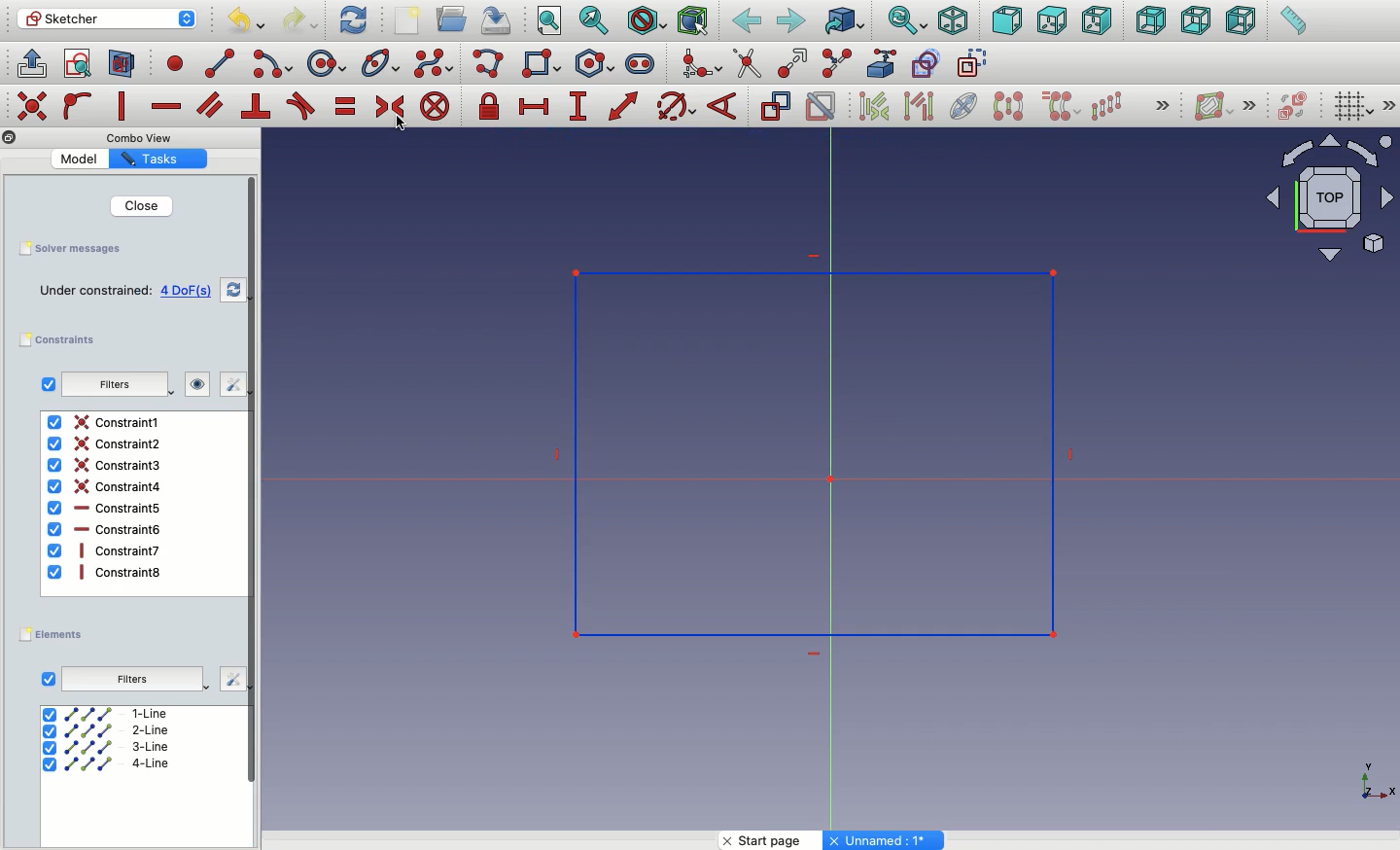 This screenshot has height=850, width=1400. Describe the element at coordinates (249, 23) in the screenshot. I see `Undo` at that location.